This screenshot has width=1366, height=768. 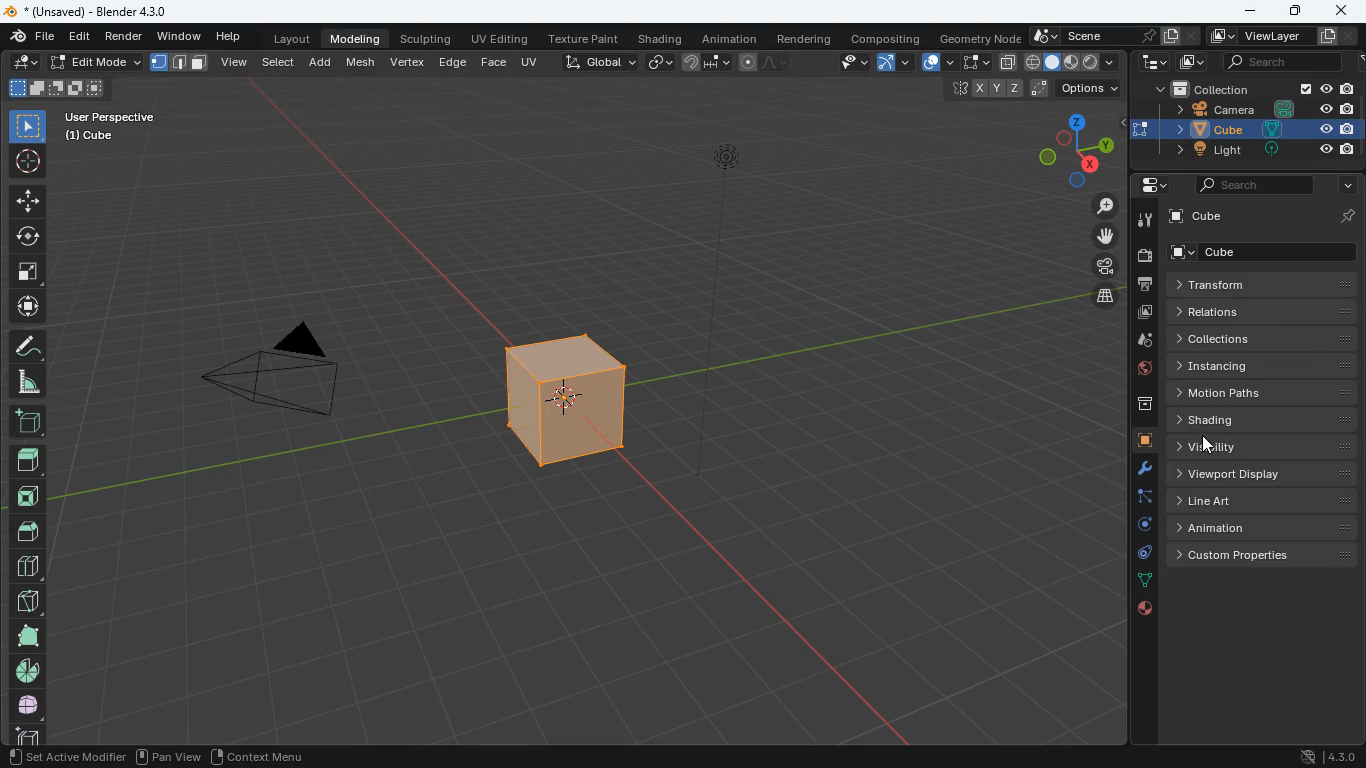 What do you see at coordinates (1347, 185) in the screenshot?
I see `more` at bounding box center [1347, 185].